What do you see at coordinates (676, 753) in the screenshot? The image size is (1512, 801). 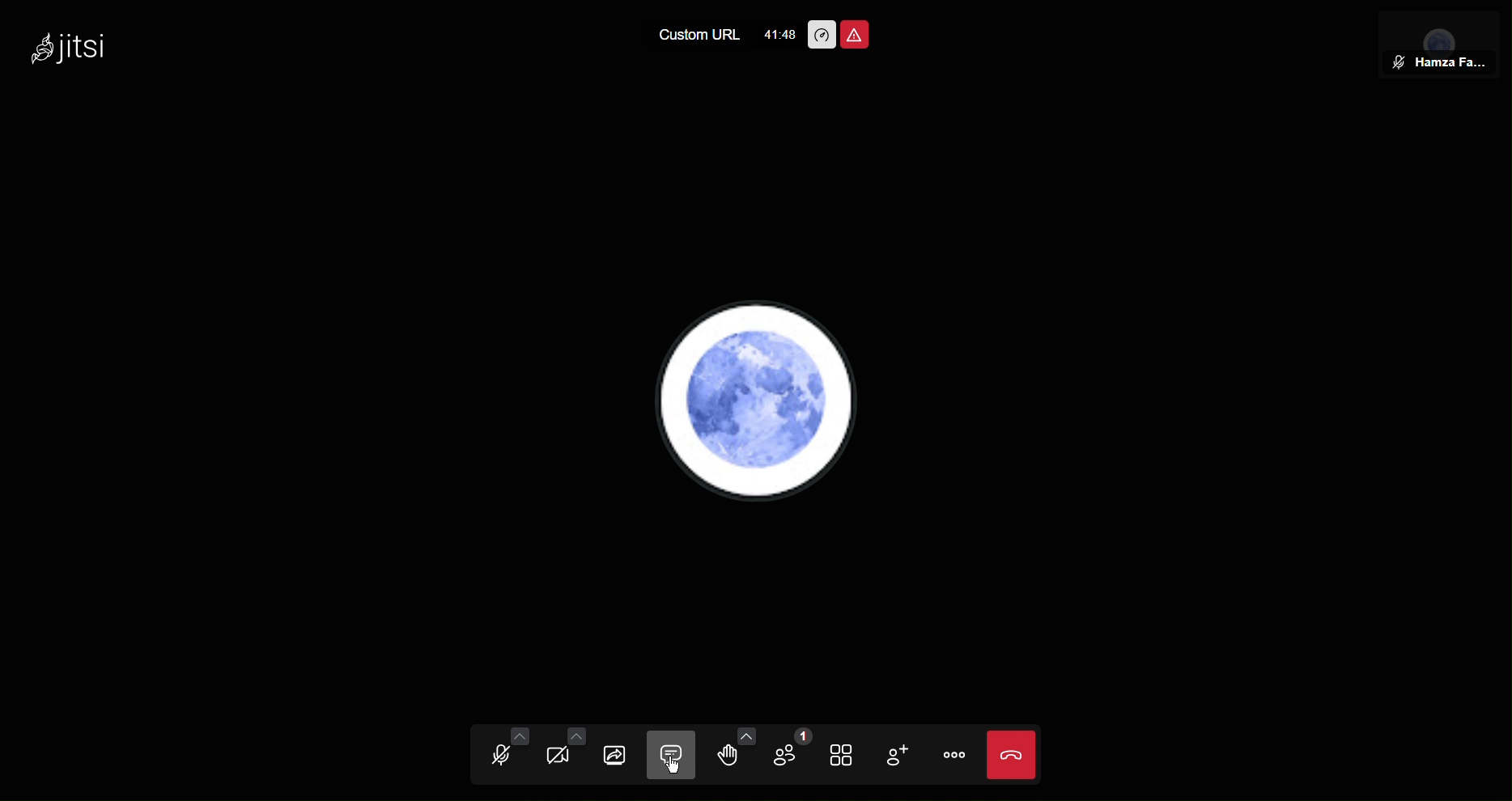 I see `Chat` at bounding box center [676, 753].